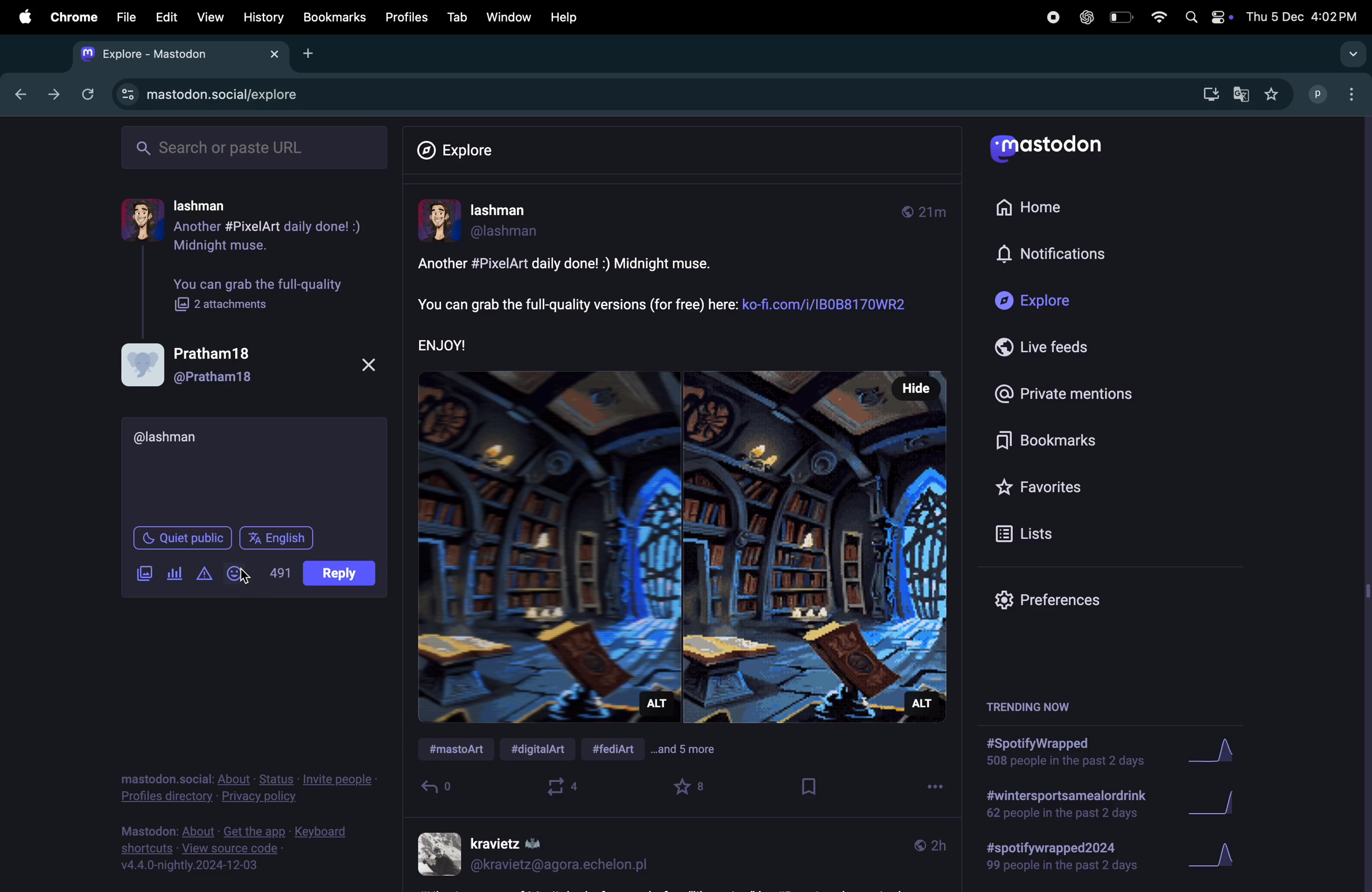 This screenshot has height=892, width=1372. Describe the element at coordinates (1337, 95) in the screenshot. I see `profile ` at that location.